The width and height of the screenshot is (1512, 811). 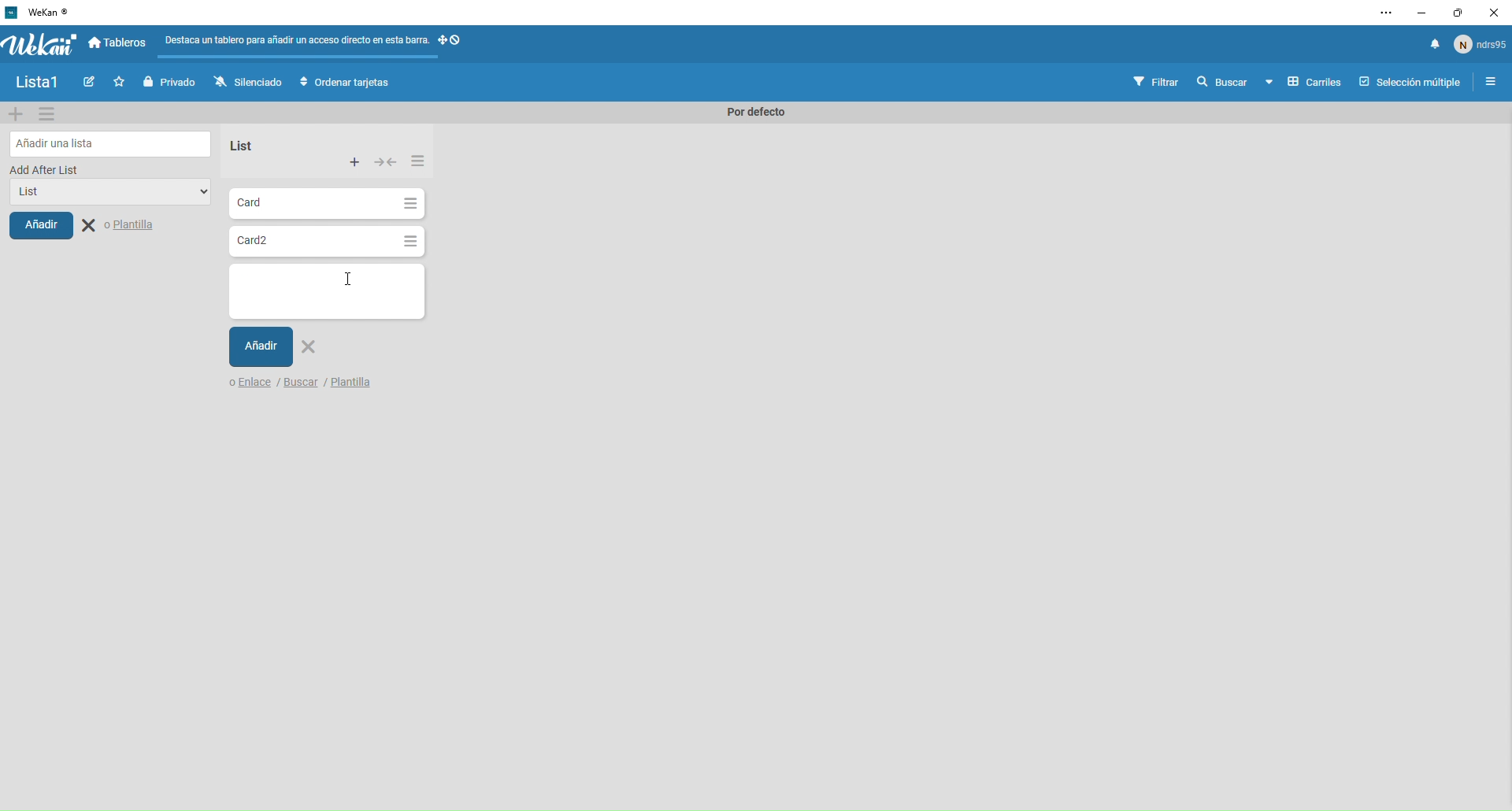 I want to click on cursor, so click(x=346, y=283).